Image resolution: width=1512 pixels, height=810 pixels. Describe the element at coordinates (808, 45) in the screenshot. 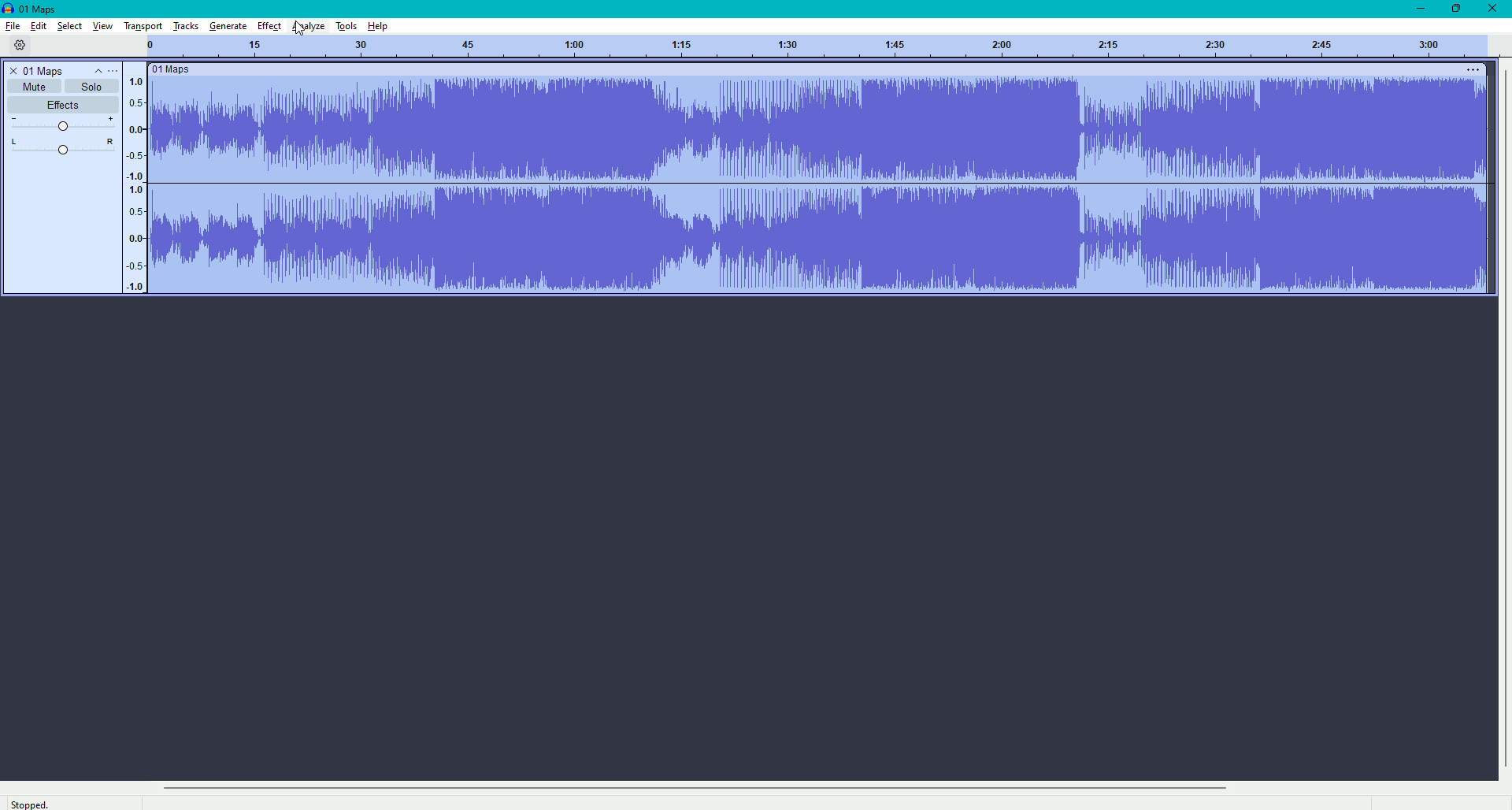

I see `Track numbers` at that location.